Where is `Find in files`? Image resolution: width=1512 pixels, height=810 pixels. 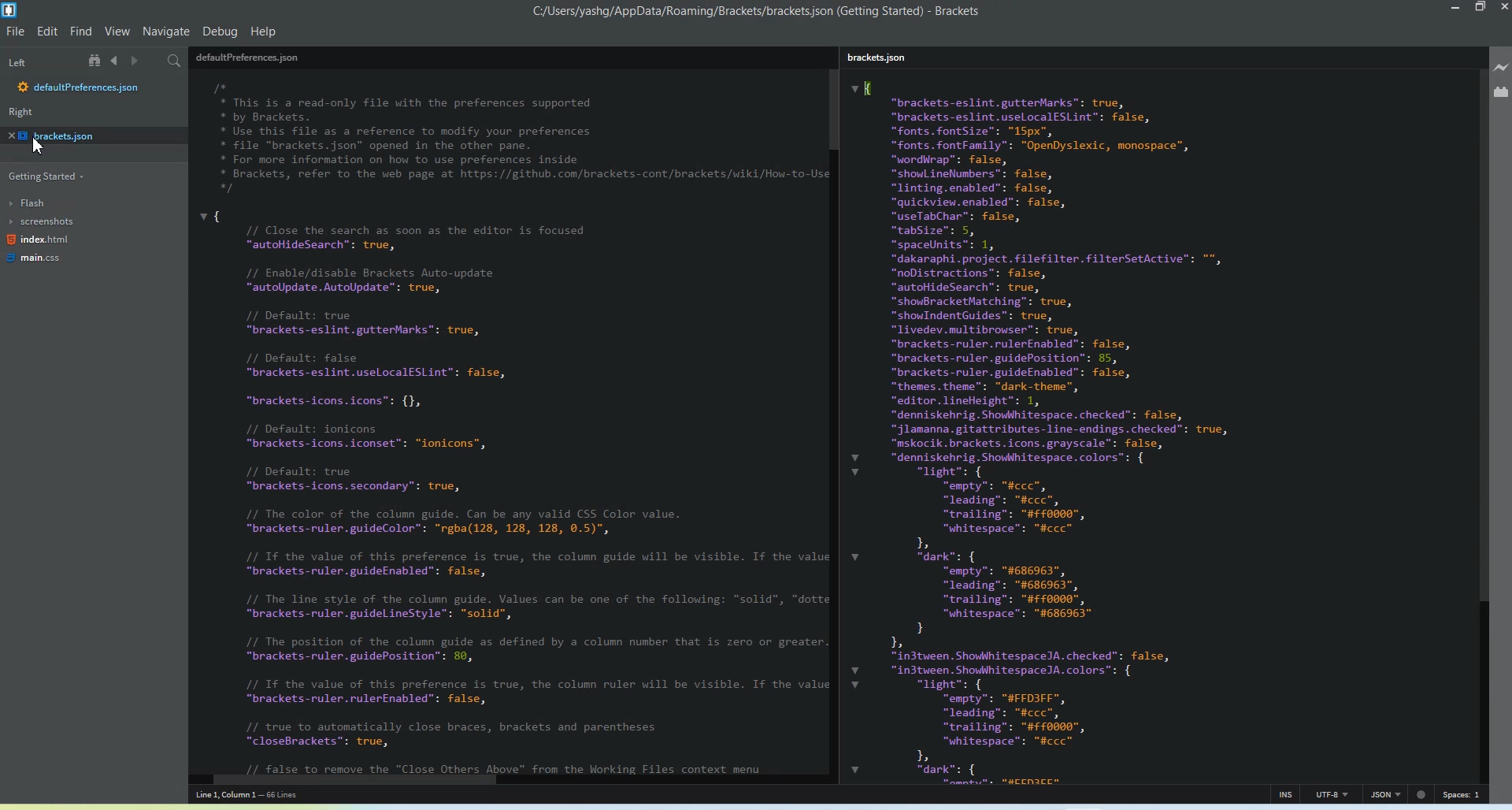 Find in files is located at coordinates (176, 61).